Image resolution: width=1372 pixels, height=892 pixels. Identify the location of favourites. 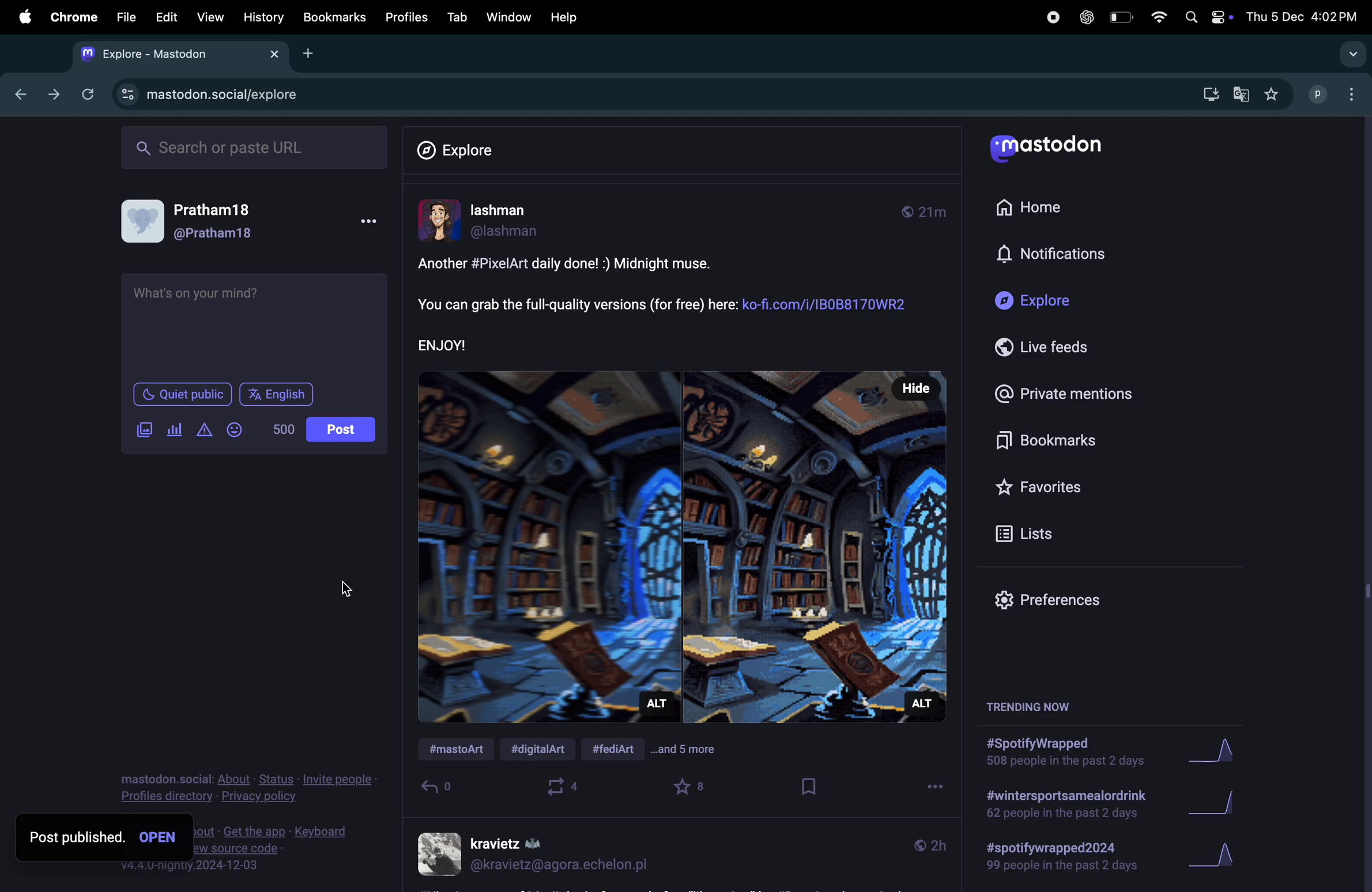
(1270, 94).